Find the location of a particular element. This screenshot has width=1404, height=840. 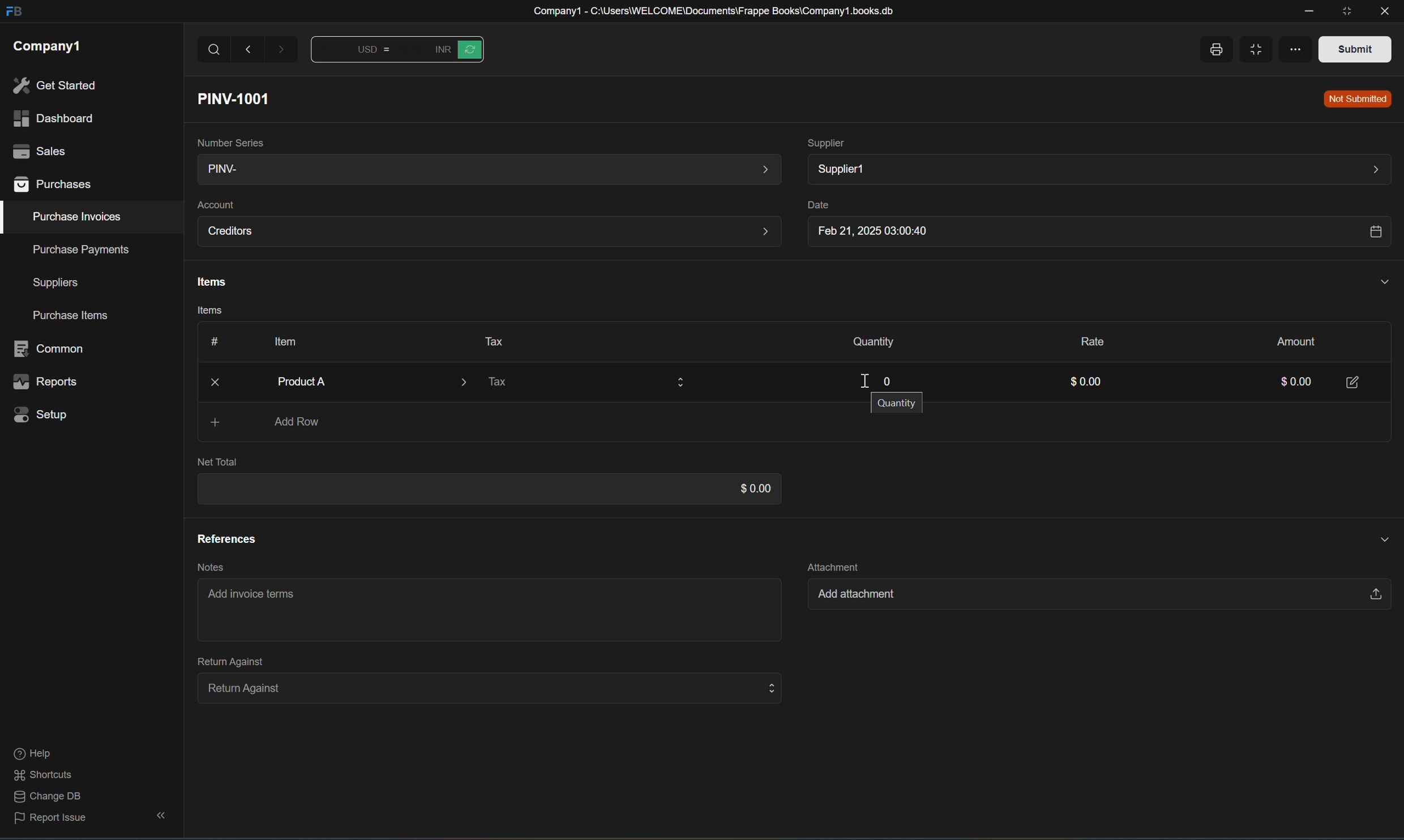

company1 is located at coordinates (47, 45).